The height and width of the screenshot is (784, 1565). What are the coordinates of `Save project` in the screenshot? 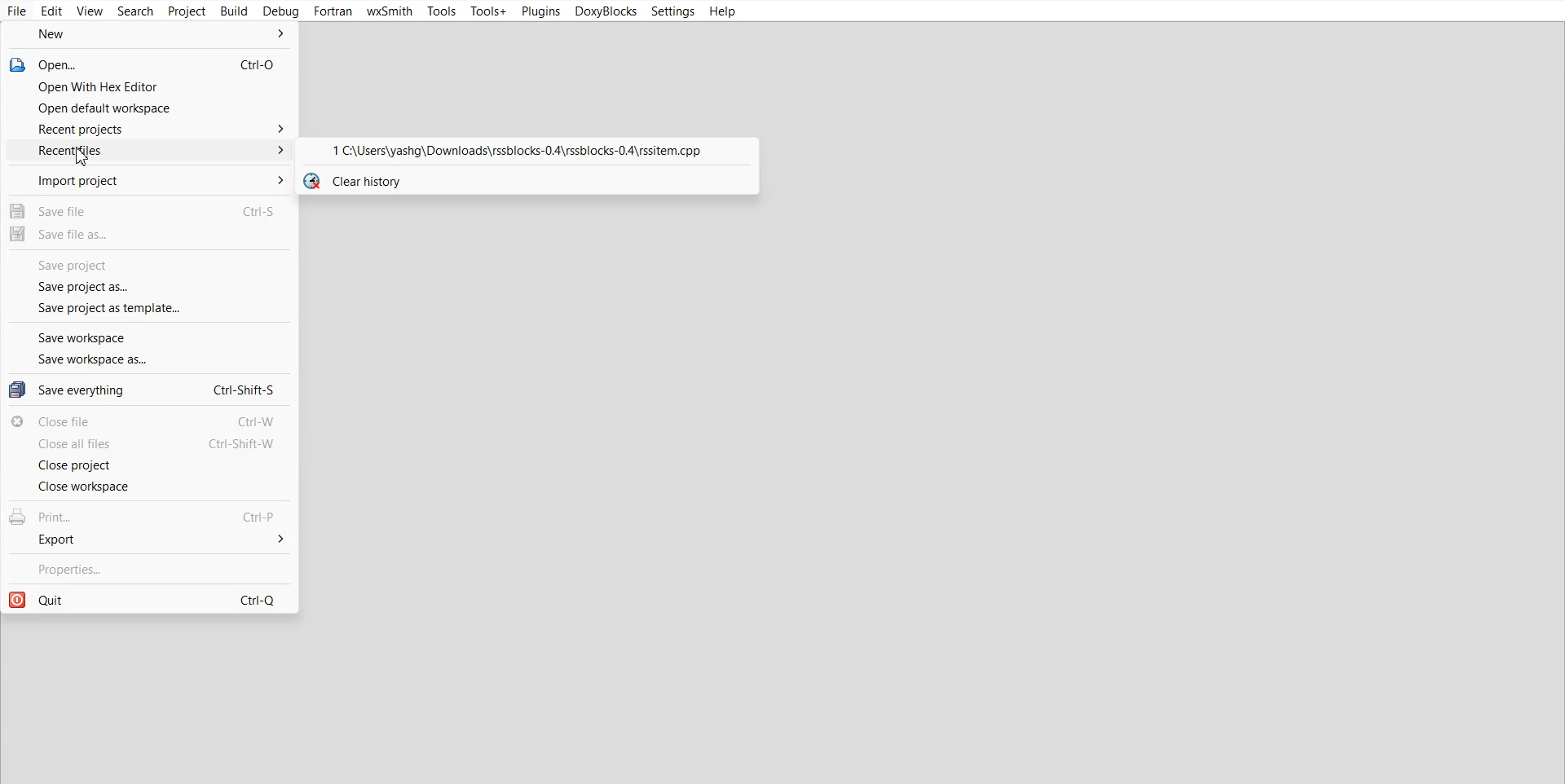 It's located at (148, 265).